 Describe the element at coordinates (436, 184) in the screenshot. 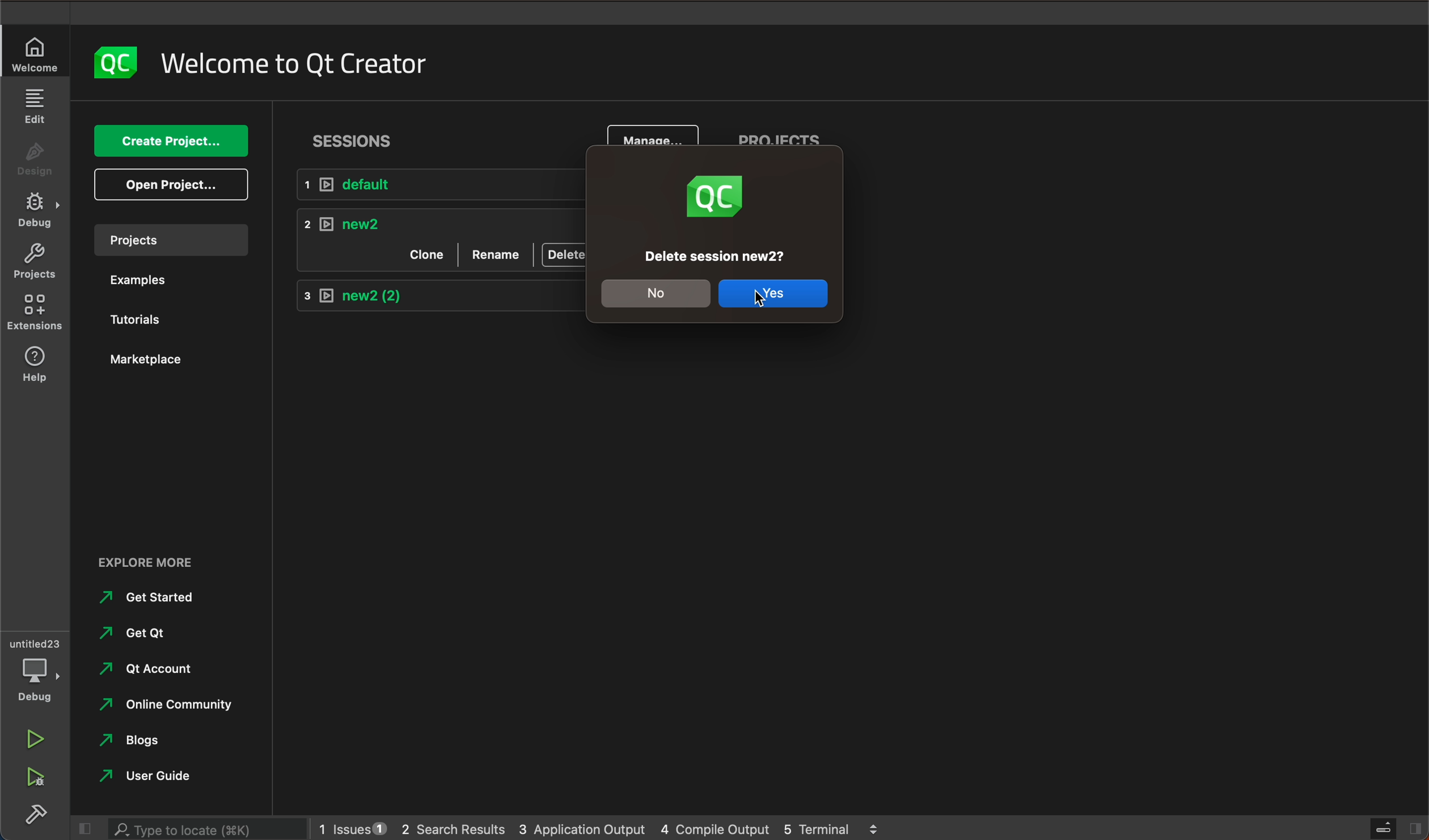

I see `default` at that location.